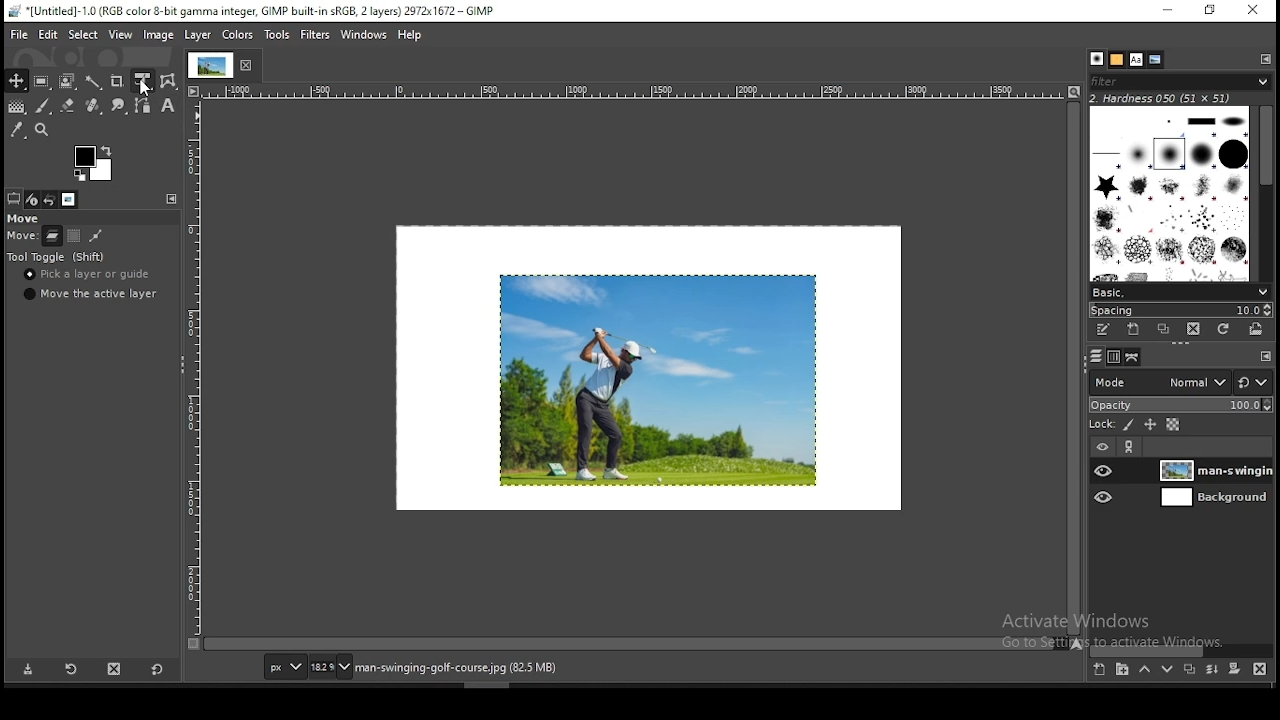 This screenshot has height=720, width=1280. Describe the element at coordinates (1180, 81) in the screenshot. I see `brushes filter` at that location.